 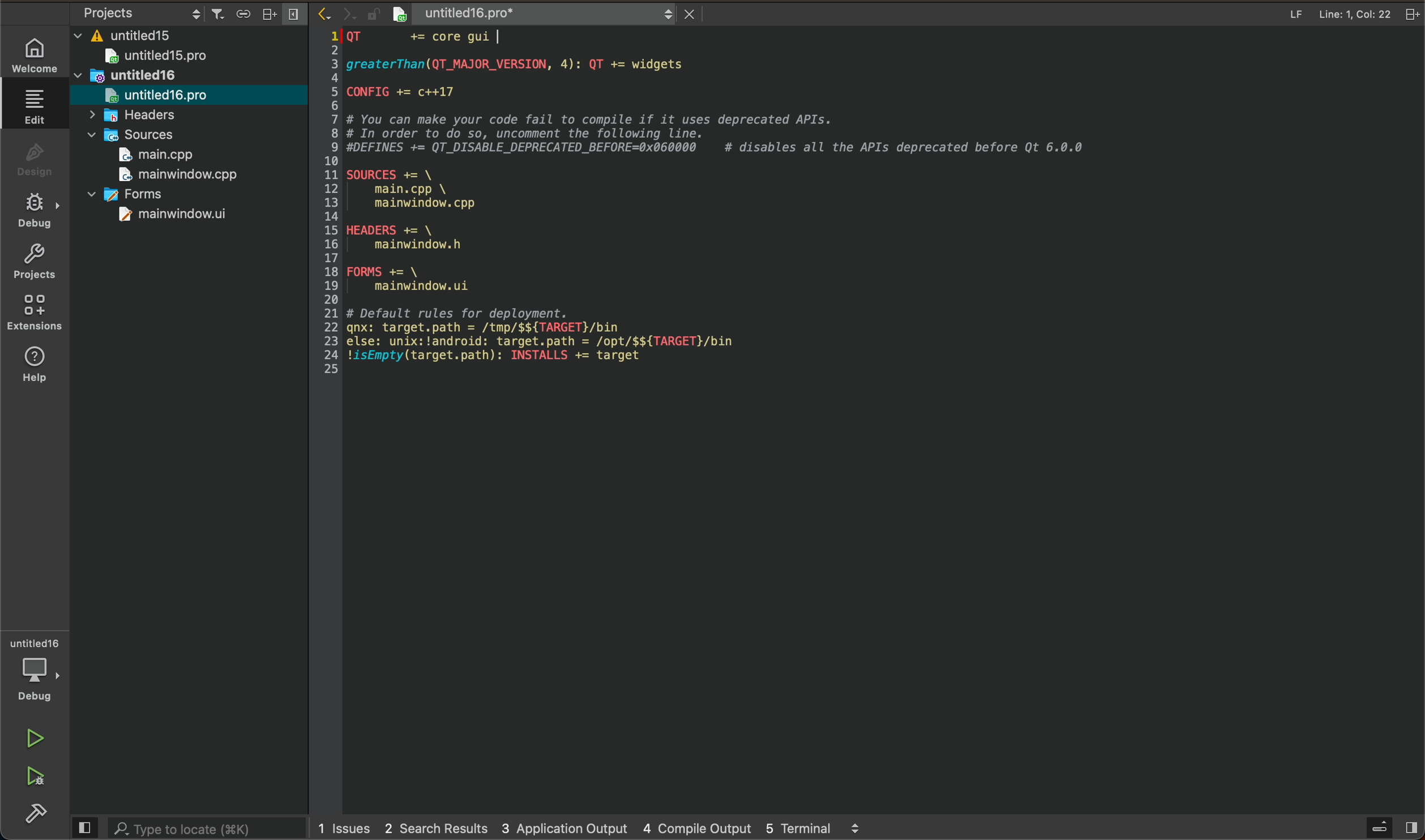 What do you see at coordinates (1388, 828) in the screenshot?
I see `open sidebar` at bounding box center [1388, 828].